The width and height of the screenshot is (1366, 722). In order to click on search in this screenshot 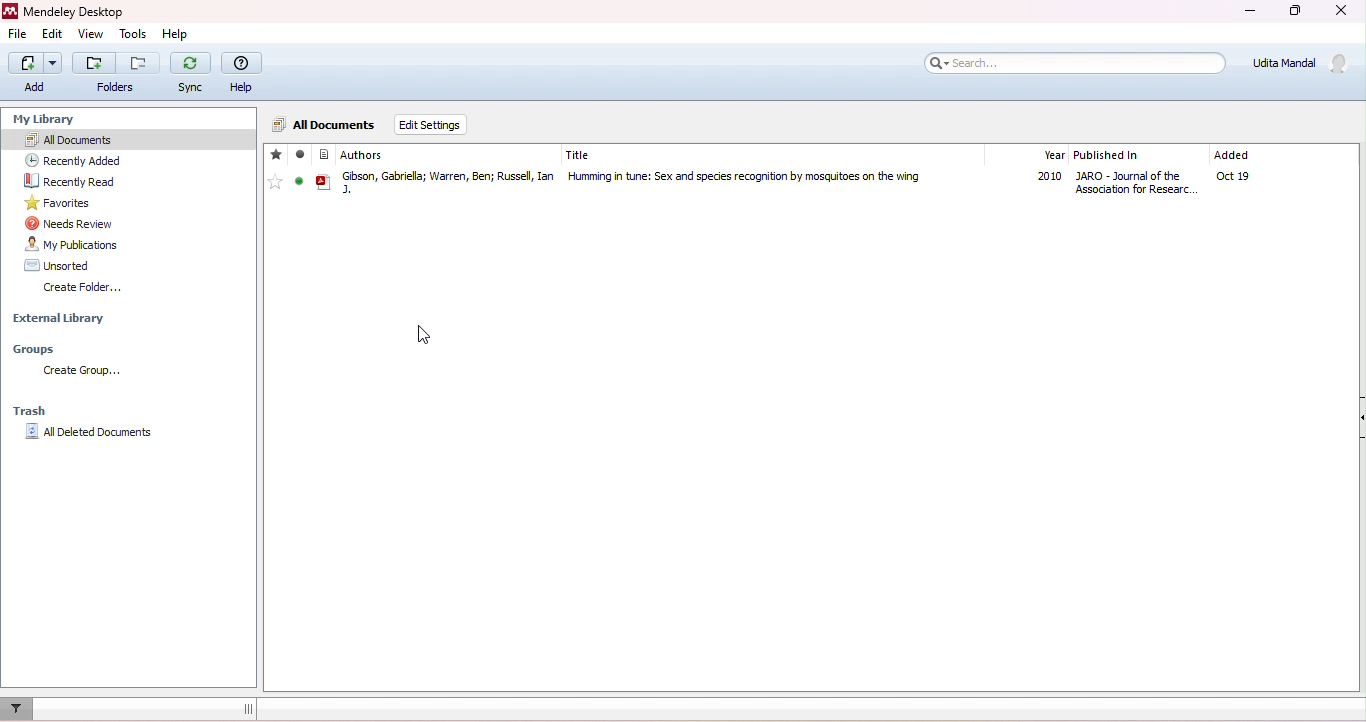, I will do `click(1073, 65)`.